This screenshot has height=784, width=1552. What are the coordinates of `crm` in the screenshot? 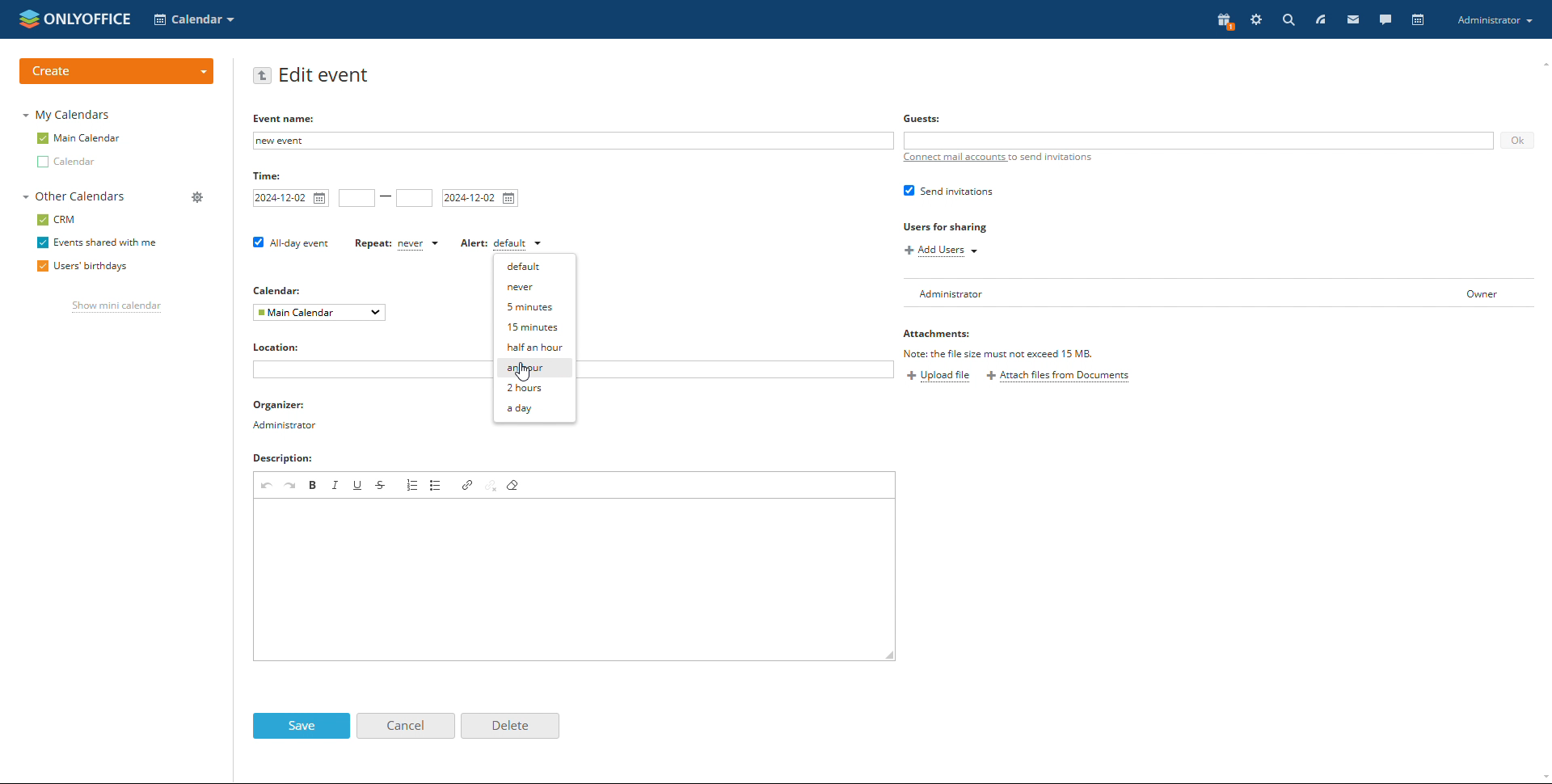 It's located at (54, 219).